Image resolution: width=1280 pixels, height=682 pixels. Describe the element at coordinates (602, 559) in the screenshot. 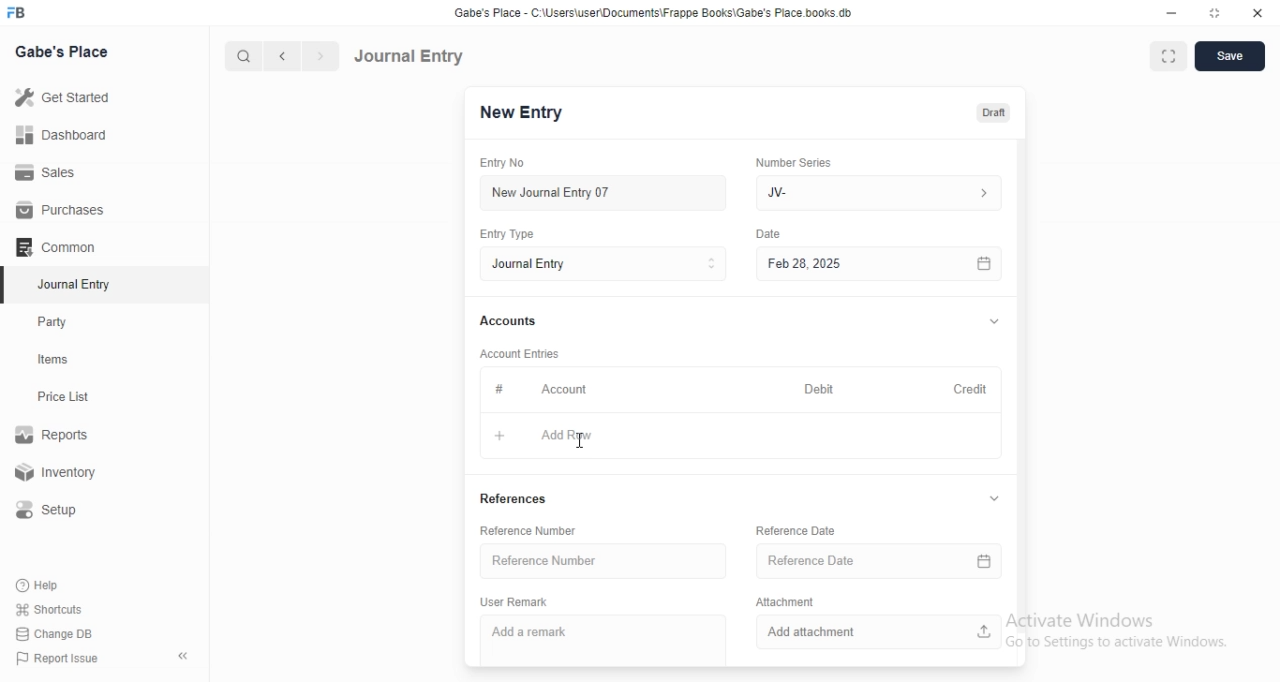

I see `Reference Number` at that location.